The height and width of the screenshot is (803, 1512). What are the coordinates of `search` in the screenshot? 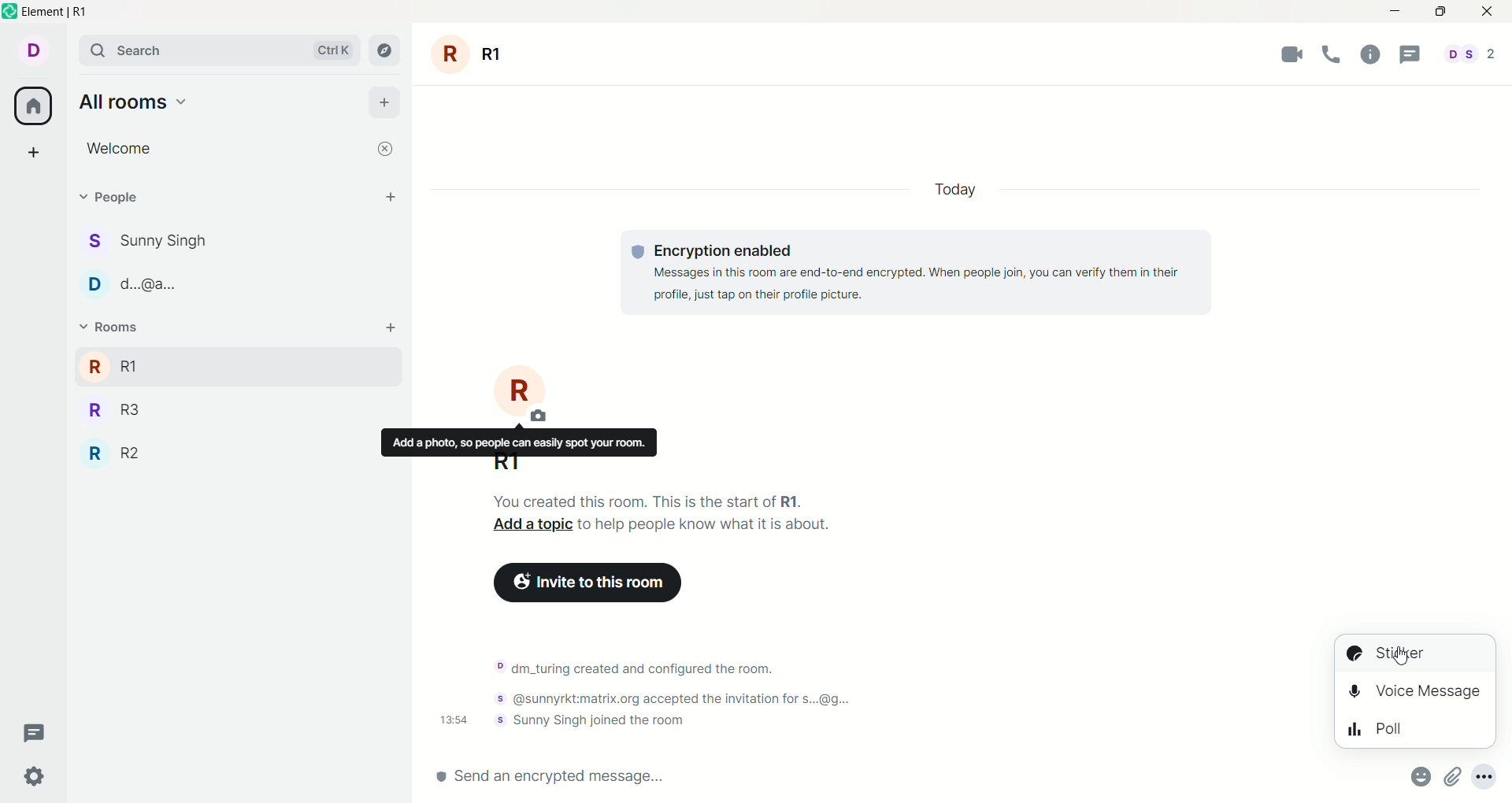 It's located at (221, 50).